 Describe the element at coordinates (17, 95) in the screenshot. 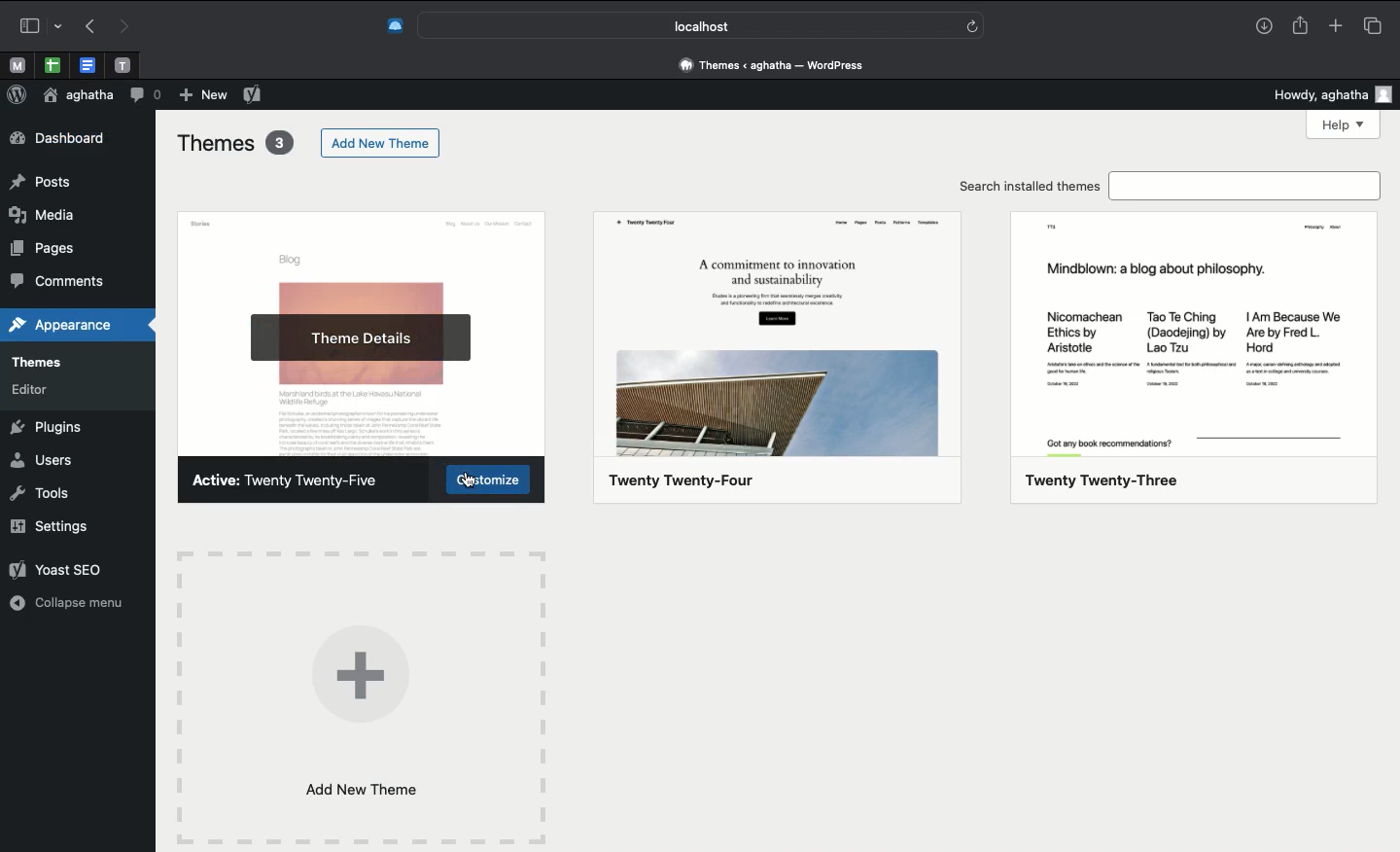

I see `Wordpress logo` at that location.